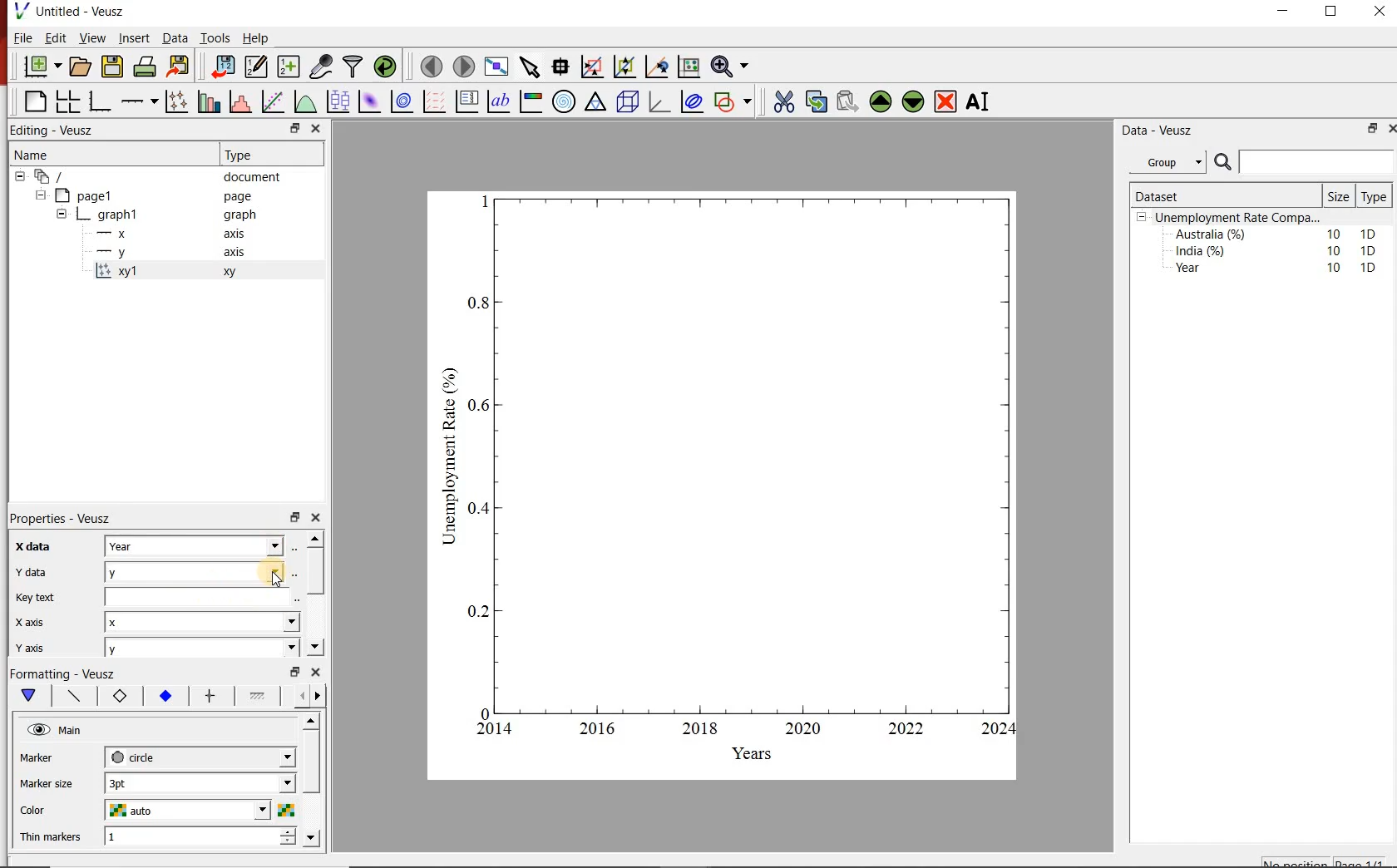 Image resolution: width=1397 pixels, height=868 pixels. What do you see at coordinates (313, 721) in the screenshot?
I see `move up` at bounding box center [313, 721].